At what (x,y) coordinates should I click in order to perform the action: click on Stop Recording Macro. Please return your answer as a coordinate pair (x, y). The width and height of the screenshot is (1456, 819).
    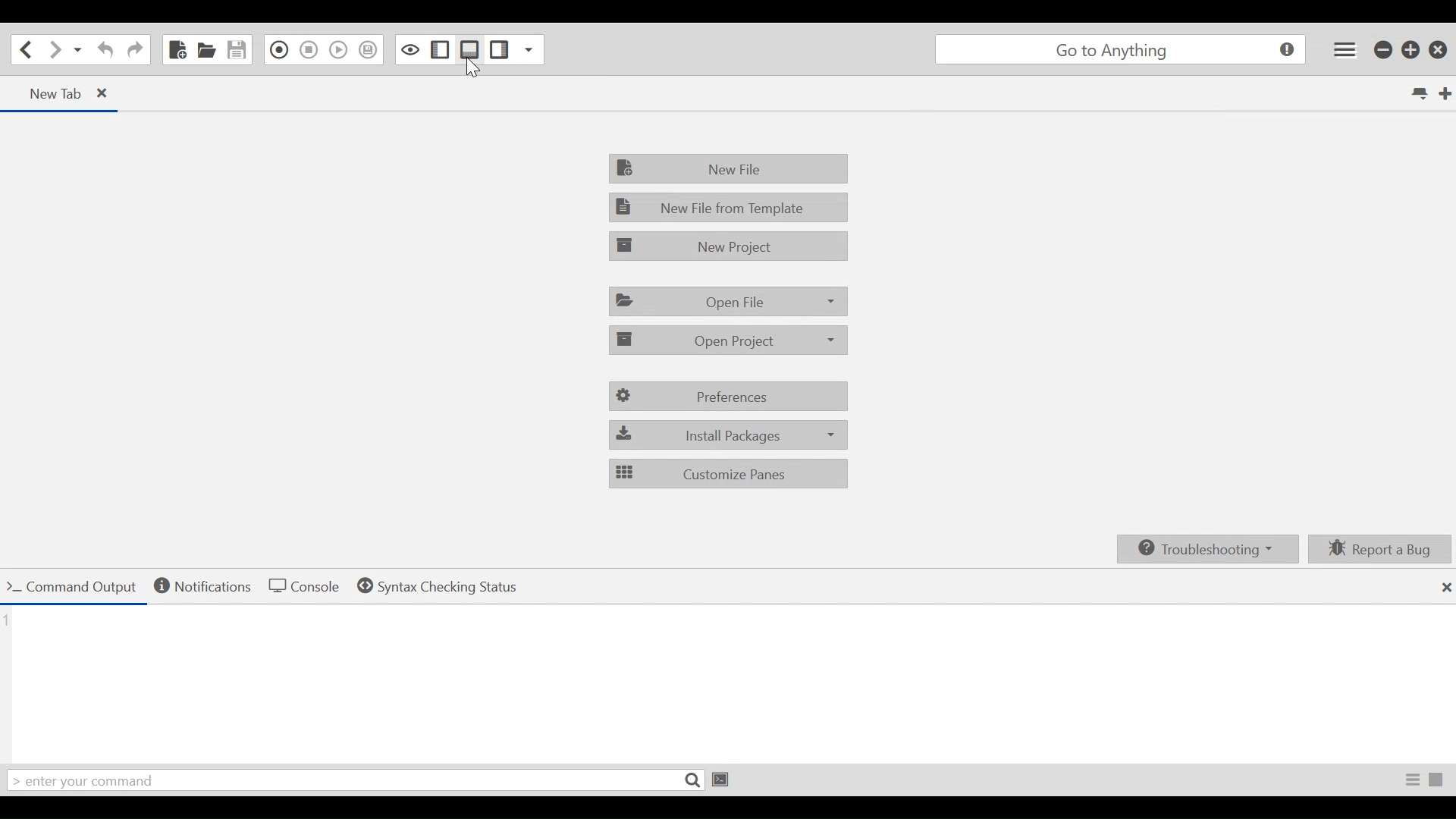
    Looking at the image, I should click on (309, 50).